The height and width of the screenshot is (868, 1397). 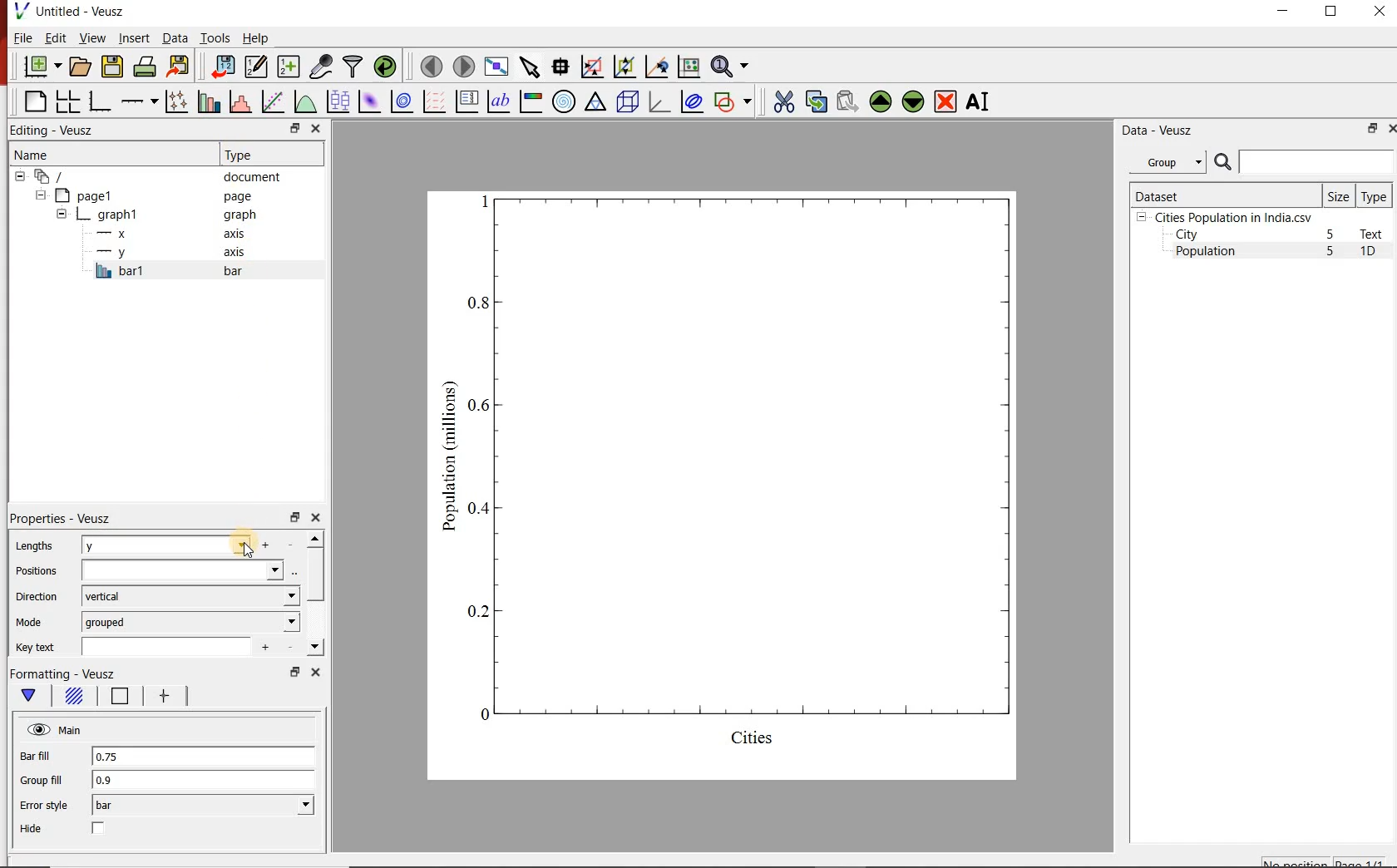 What do you see at coordinates (384, 67) in the screenshot?
I see `reload linked datasets` at bounding box center [384, 67].